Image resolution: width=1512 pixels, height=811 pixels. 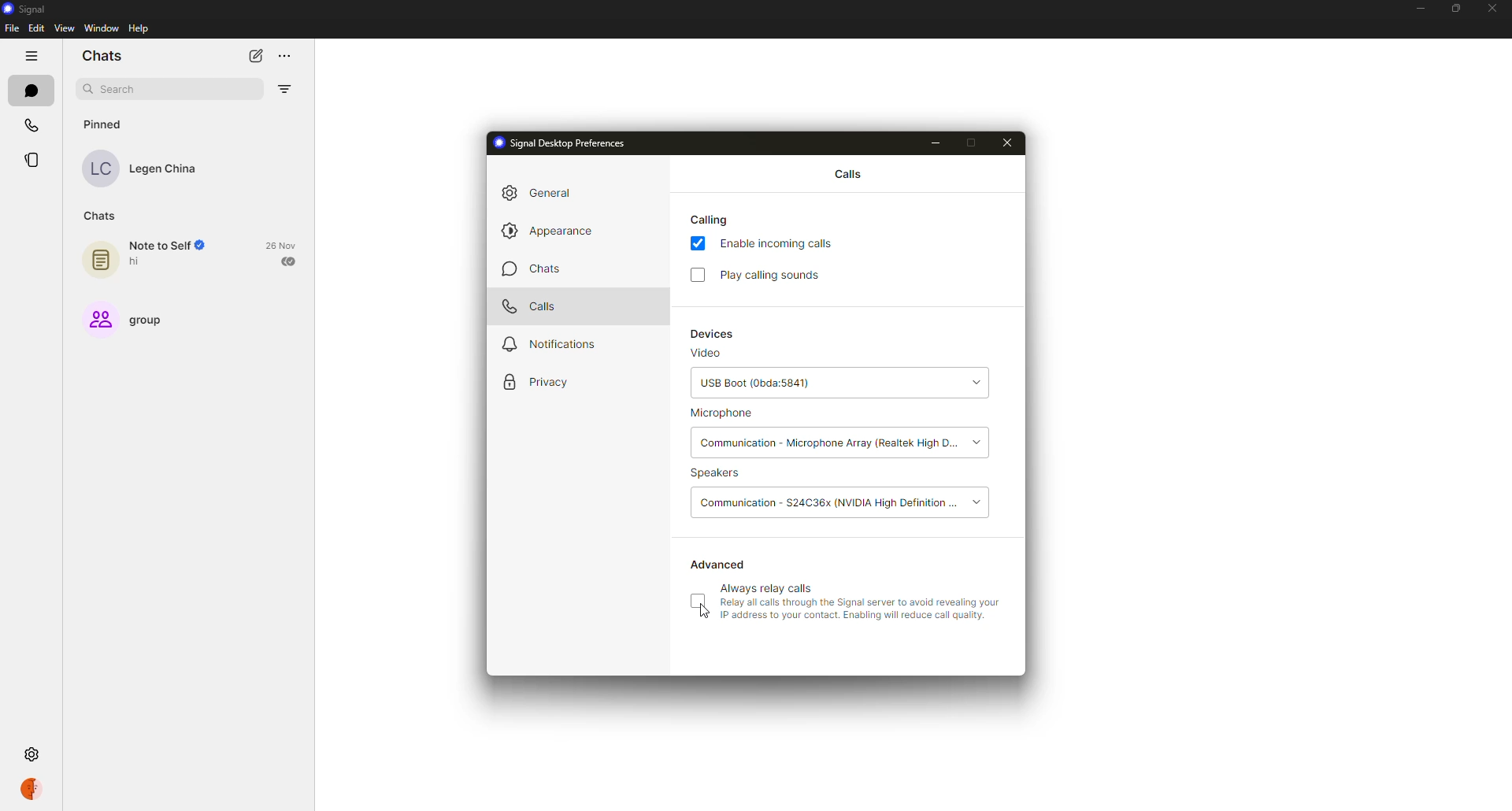 I want to click on Deley of all calls through the Signal server to avoid revealing your IP adress to your contact. Enabling it will reduce call quality., so click(x=863, y=612).